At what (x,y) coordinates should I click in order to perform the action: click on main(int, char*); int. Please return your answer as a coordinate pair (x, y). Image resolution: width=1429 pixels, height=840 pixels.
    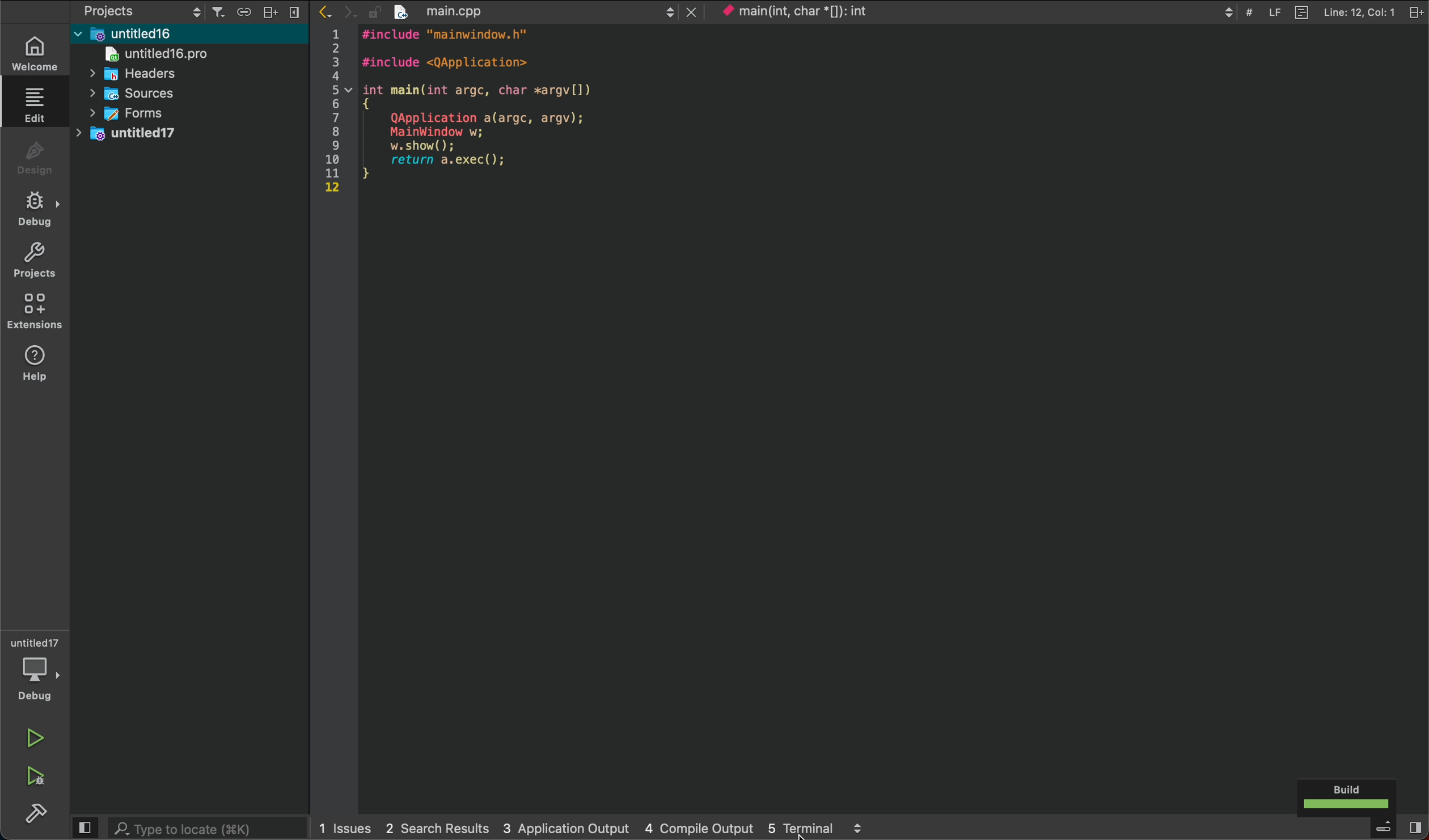
    Looking at the image, I should click on (826, 11).